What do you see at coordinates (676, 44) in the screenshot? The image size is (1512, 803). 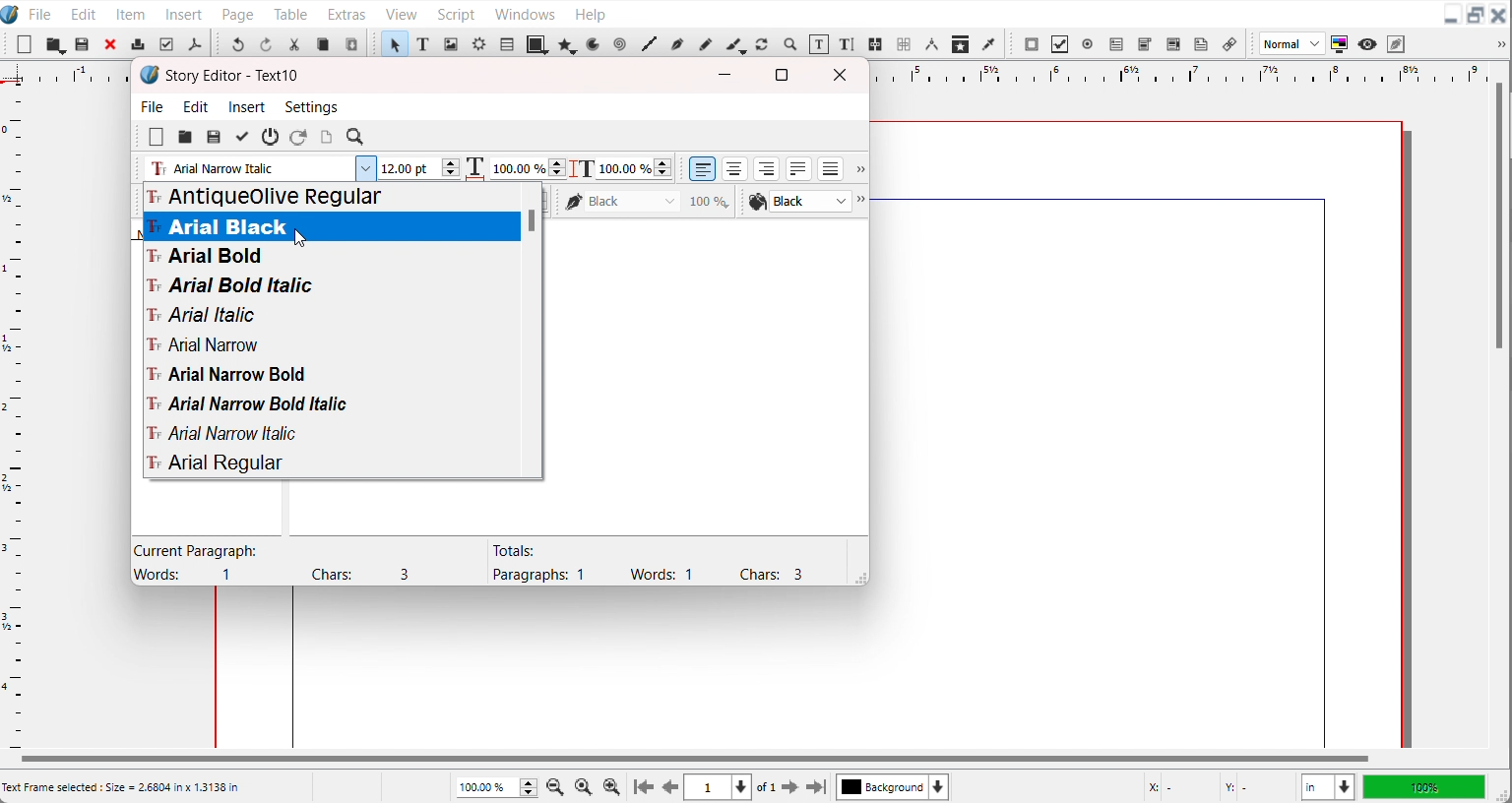 I see `Bezier curve` at bounding box center [676, 44].